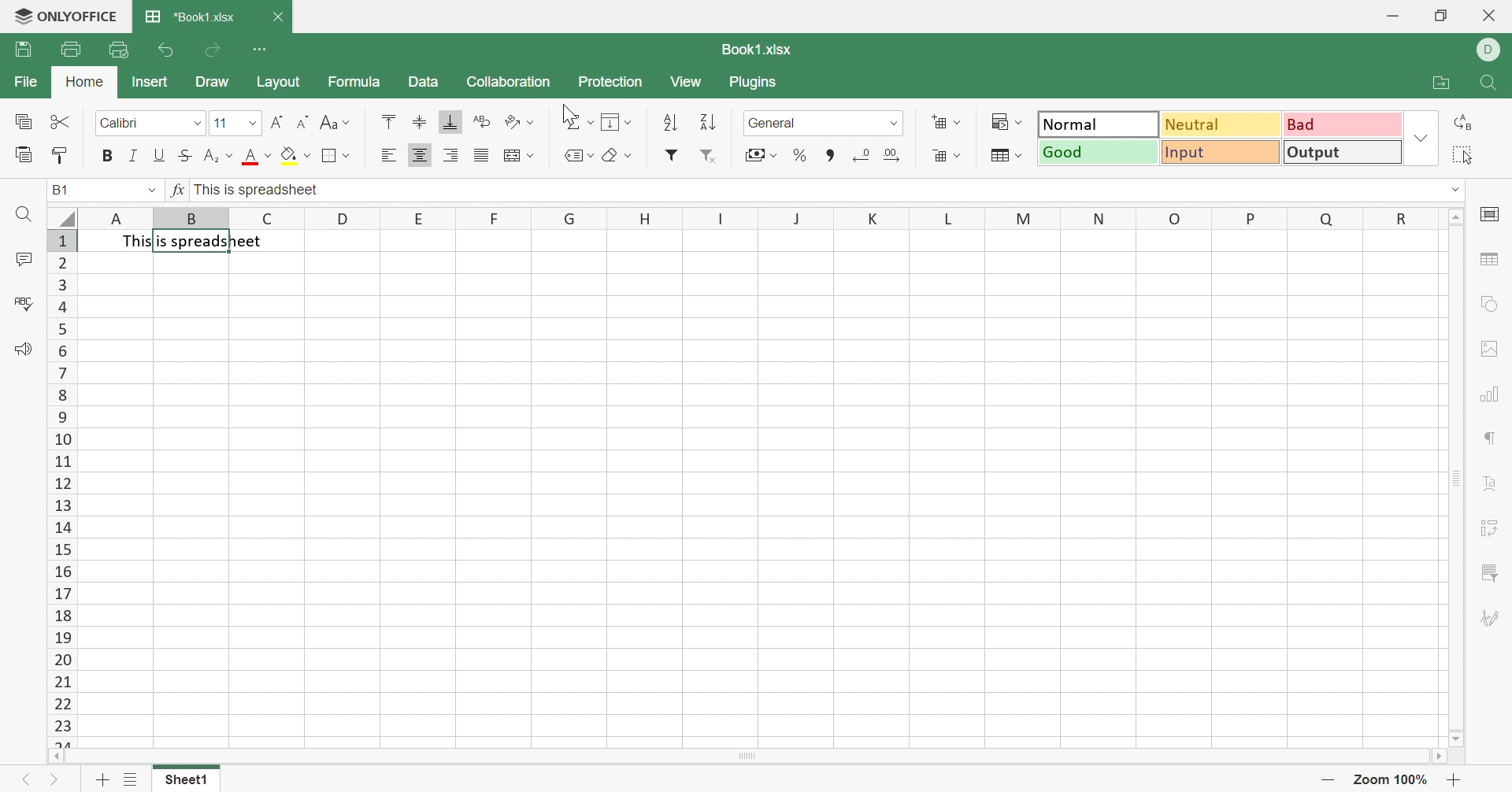  Describe the element at coordinates (1492, 214) in the screenshot. I see `cell settings` at that location.